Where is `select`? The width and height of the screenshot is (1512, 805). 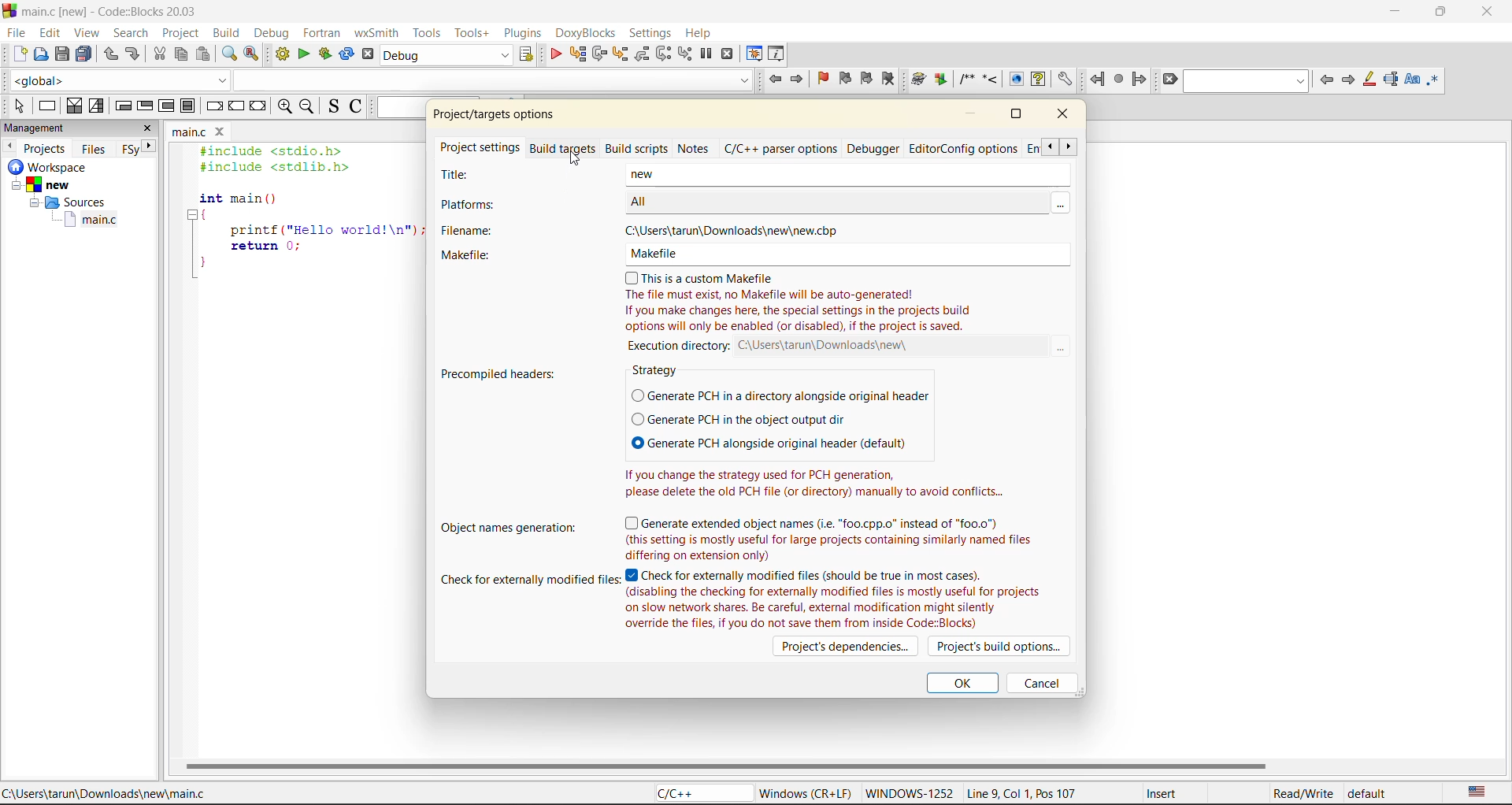 select is located at coordinates (15, 103).